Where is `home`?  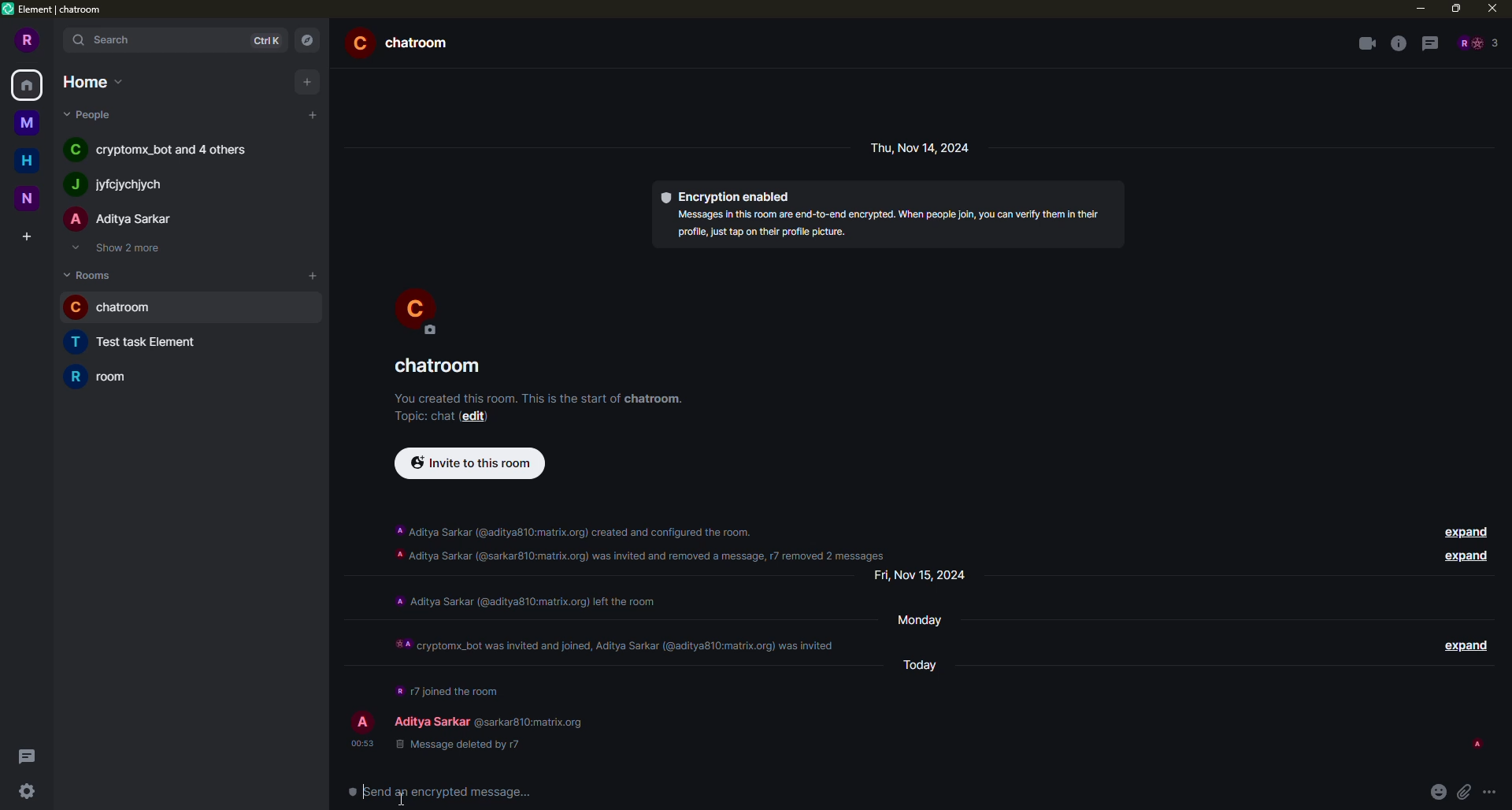
home is located at coordinates (90, 80).